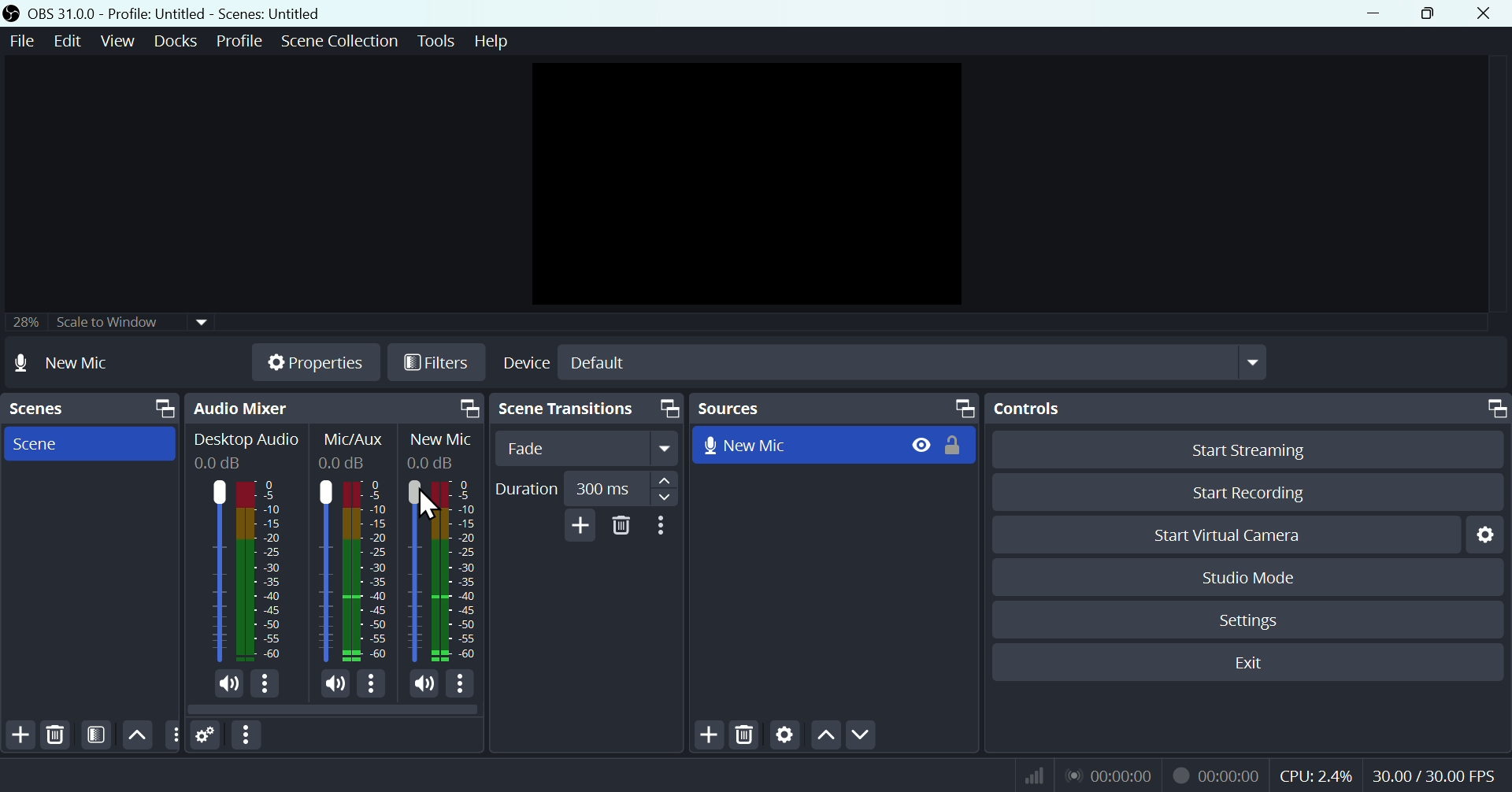 The width and height of the screenshot is (1512, 792). What do you see at coordinates (372, 687) in the screenshot?
I see `More options` at bounding box center [372, 687].